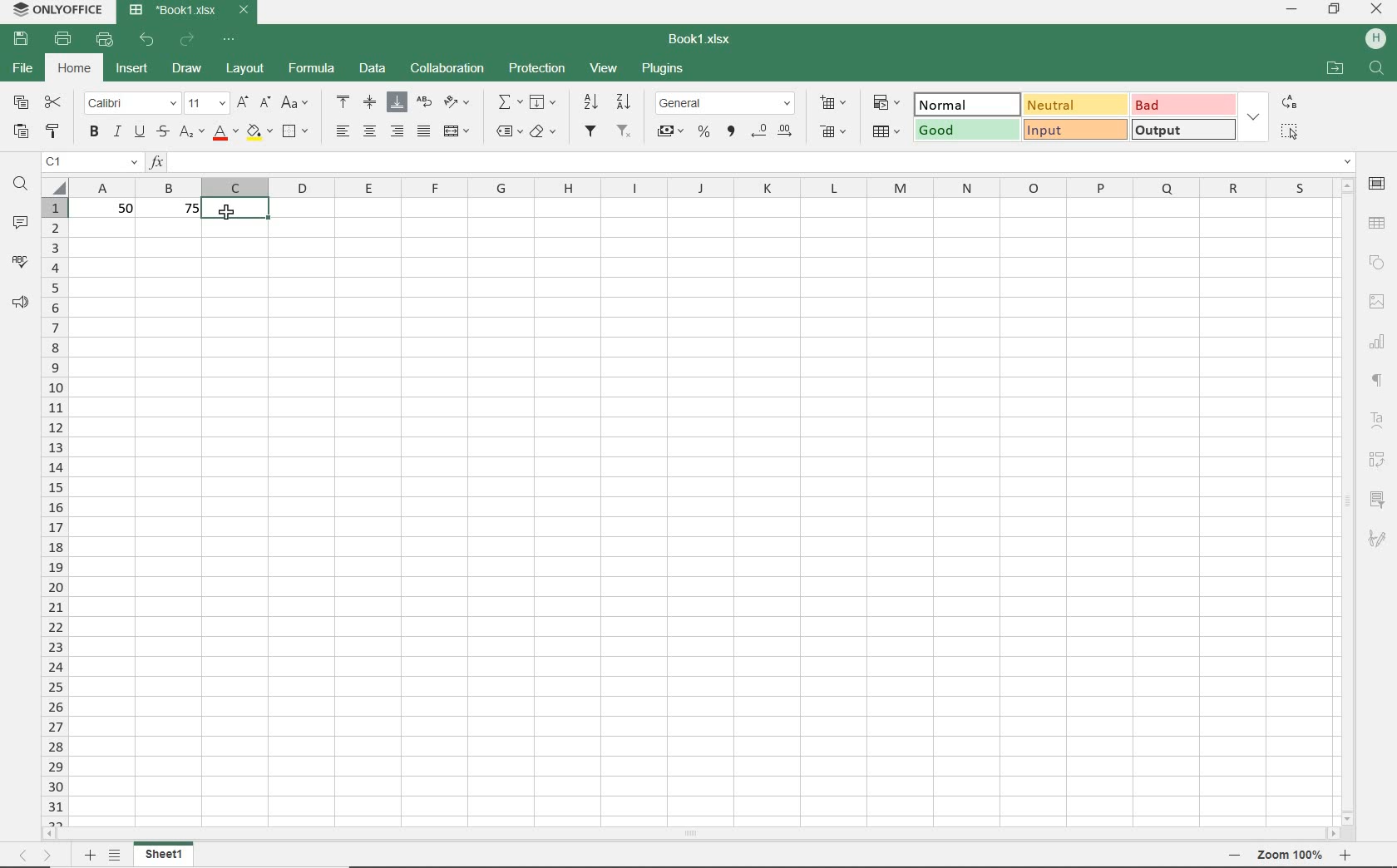 The image size is (1397, 868). Describe the element at coordinates (231, 42) in the screenshot. I see `customize quick access toolbar` at that location.